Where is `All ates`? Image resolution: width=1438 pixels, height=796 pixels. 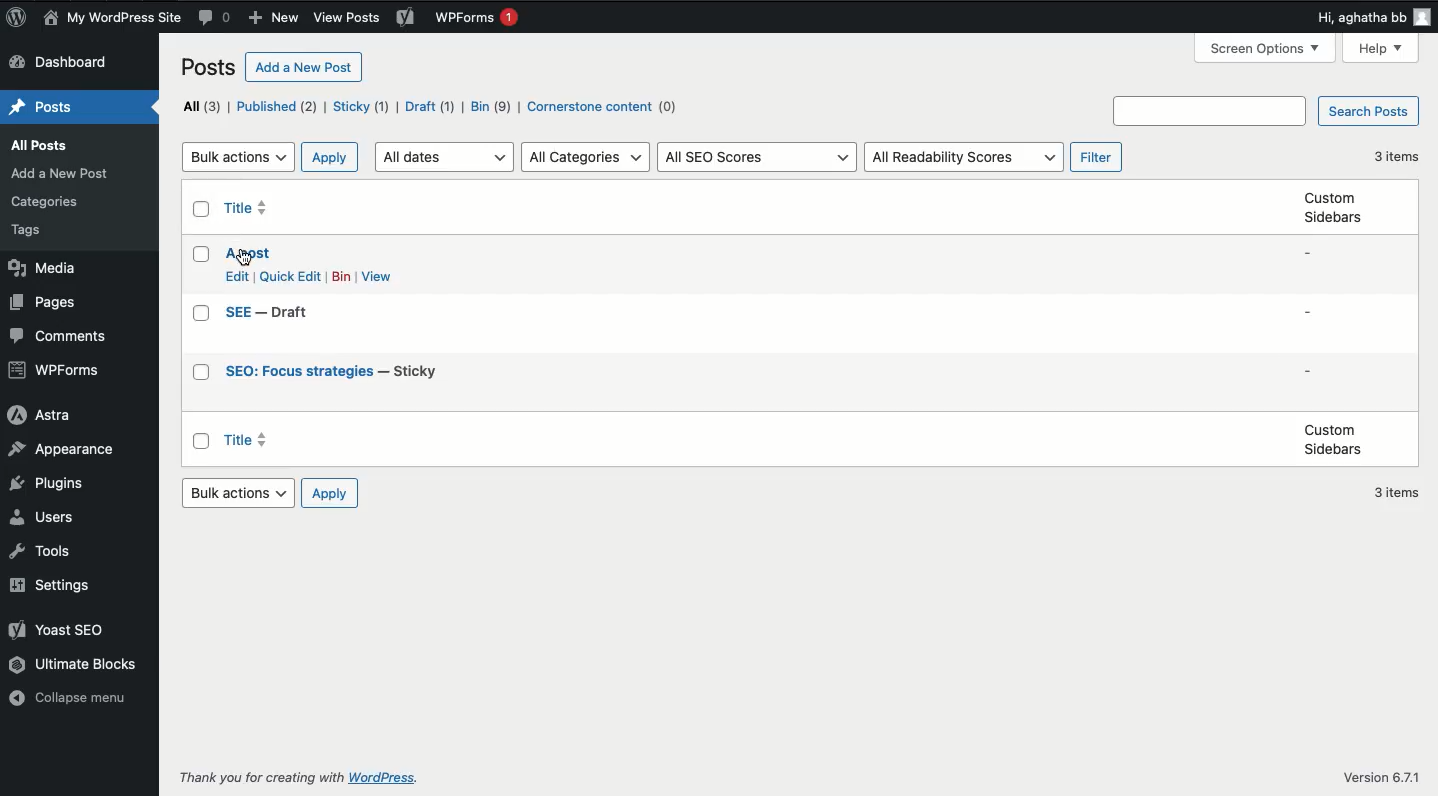 All ates is located at coordinates (446, 155).